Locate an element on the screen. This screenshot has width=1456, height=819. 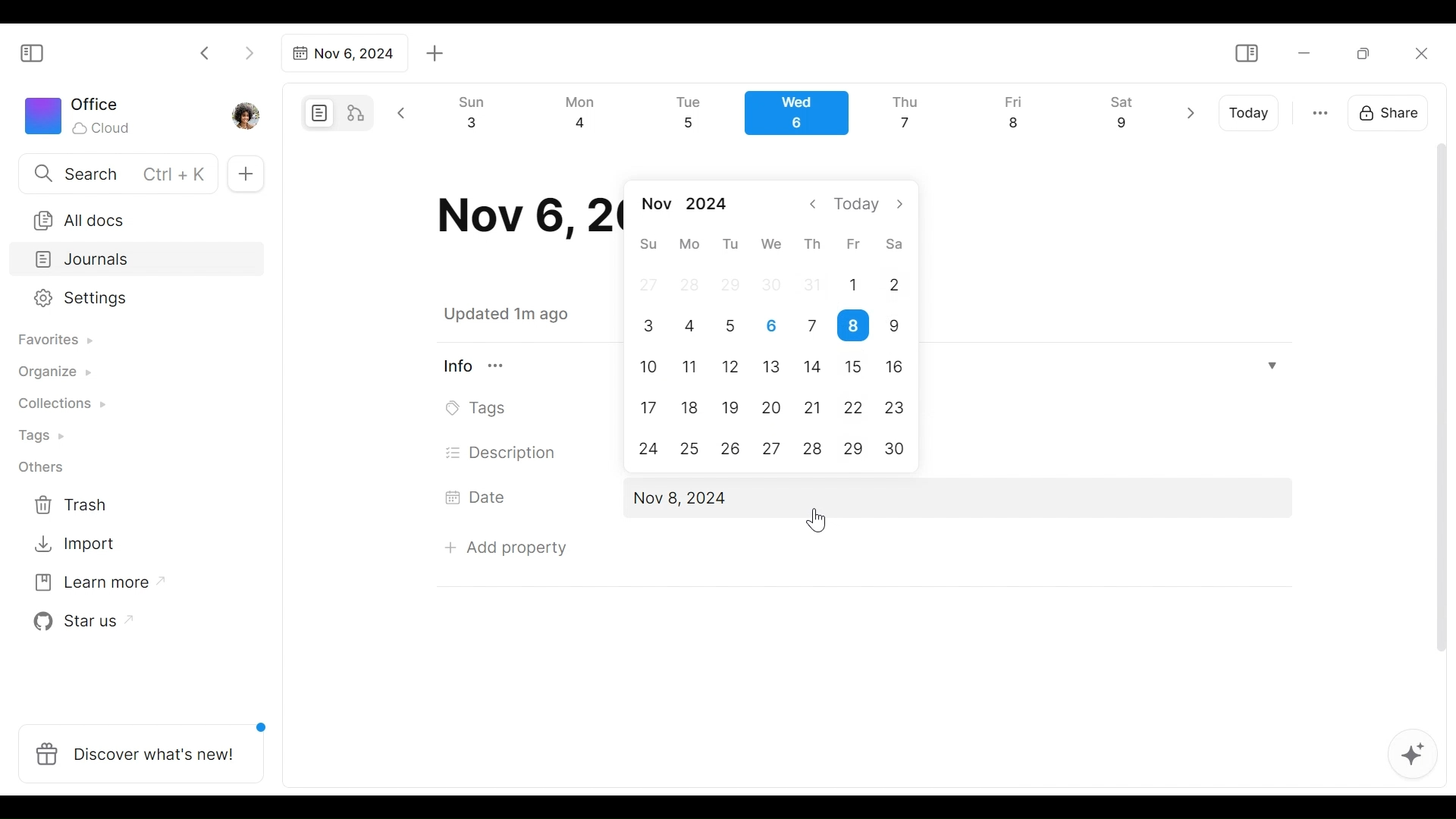
Tags is located at coordinates (43, 438).